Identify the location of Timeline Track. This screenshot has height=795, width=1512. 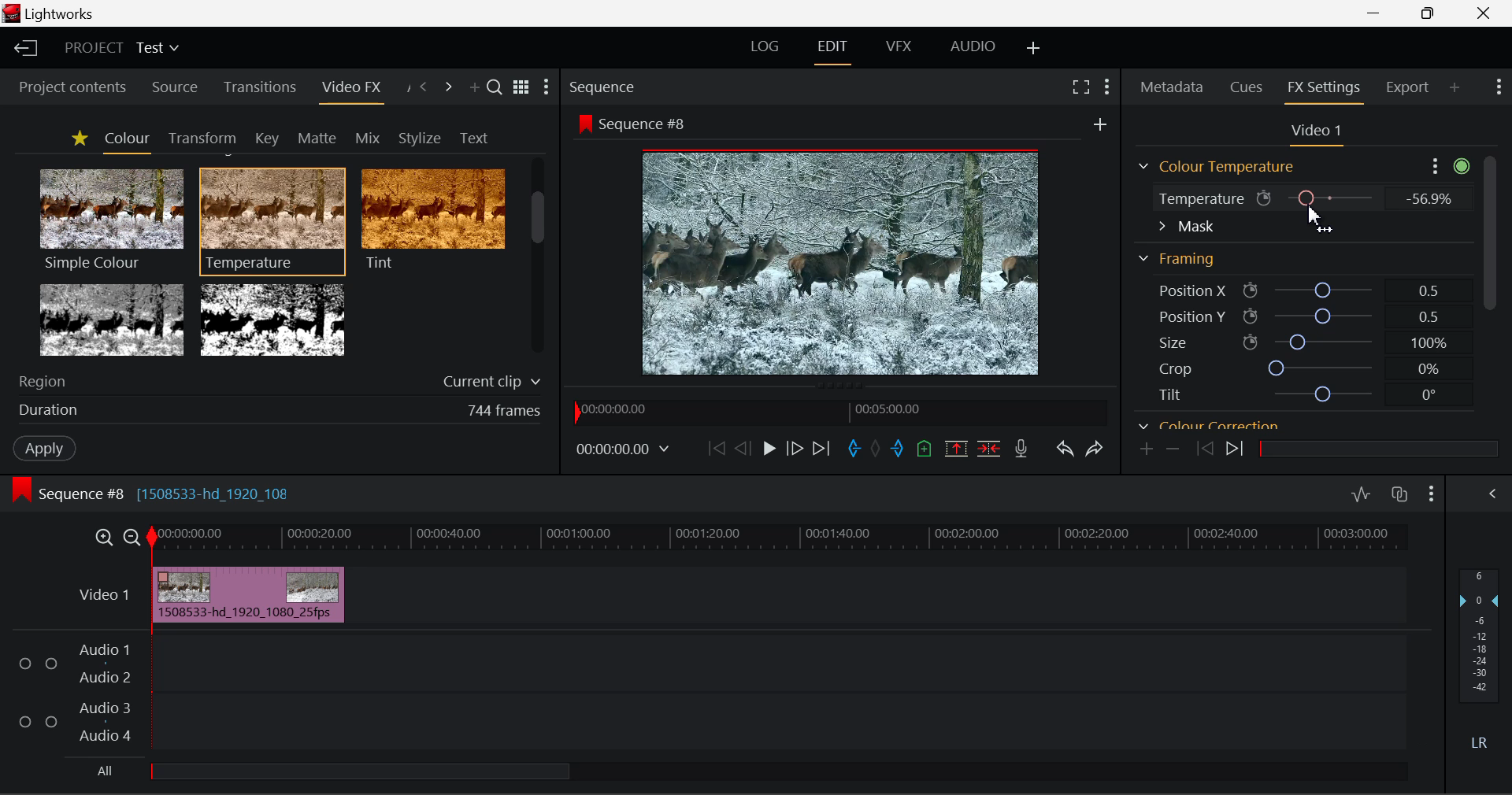
(781, 538).